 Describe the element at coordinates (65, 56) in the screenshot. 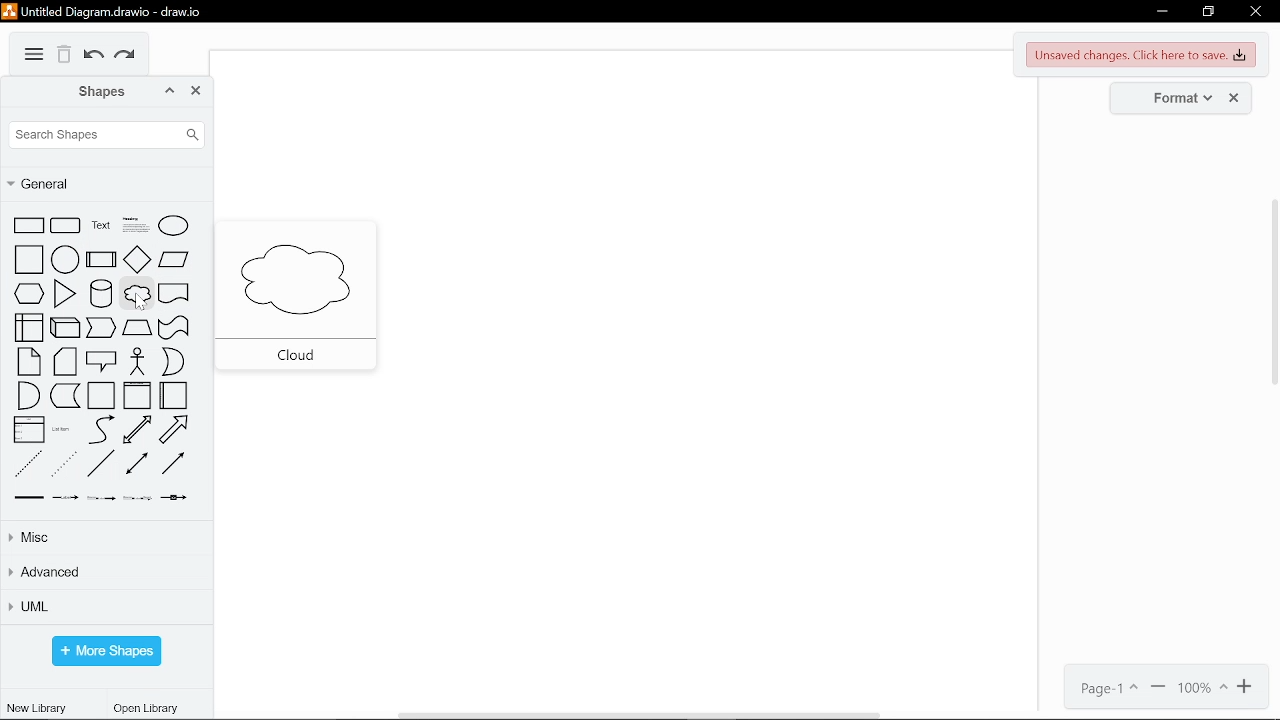

I see `delete` at that location.